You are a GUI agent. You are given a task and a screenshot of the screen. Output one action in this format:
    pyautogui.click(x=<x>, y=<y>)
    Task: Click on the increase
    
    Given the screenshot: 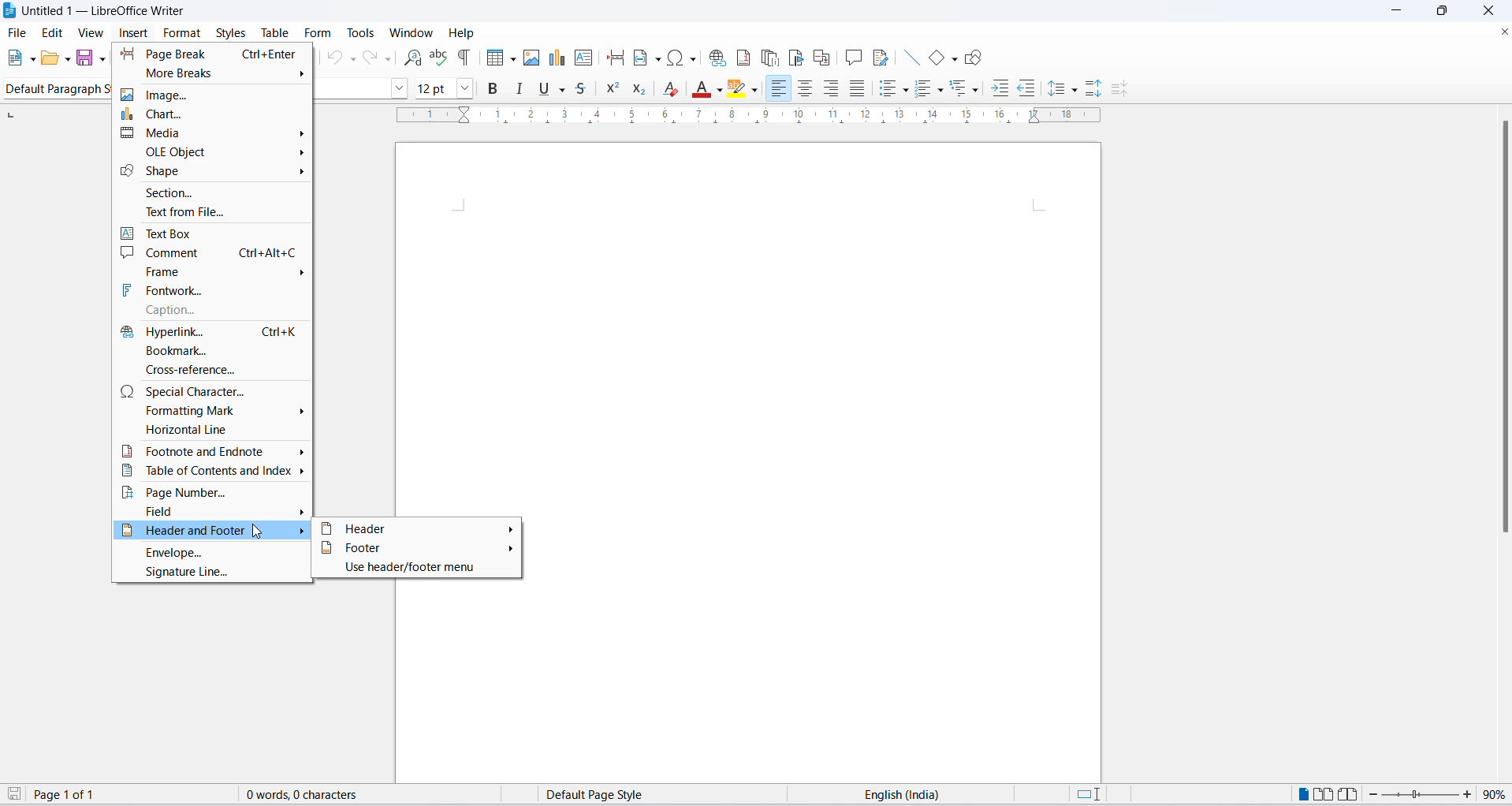 What is the action you would take?
    pyautogui.click(x=1469, y=794)
    